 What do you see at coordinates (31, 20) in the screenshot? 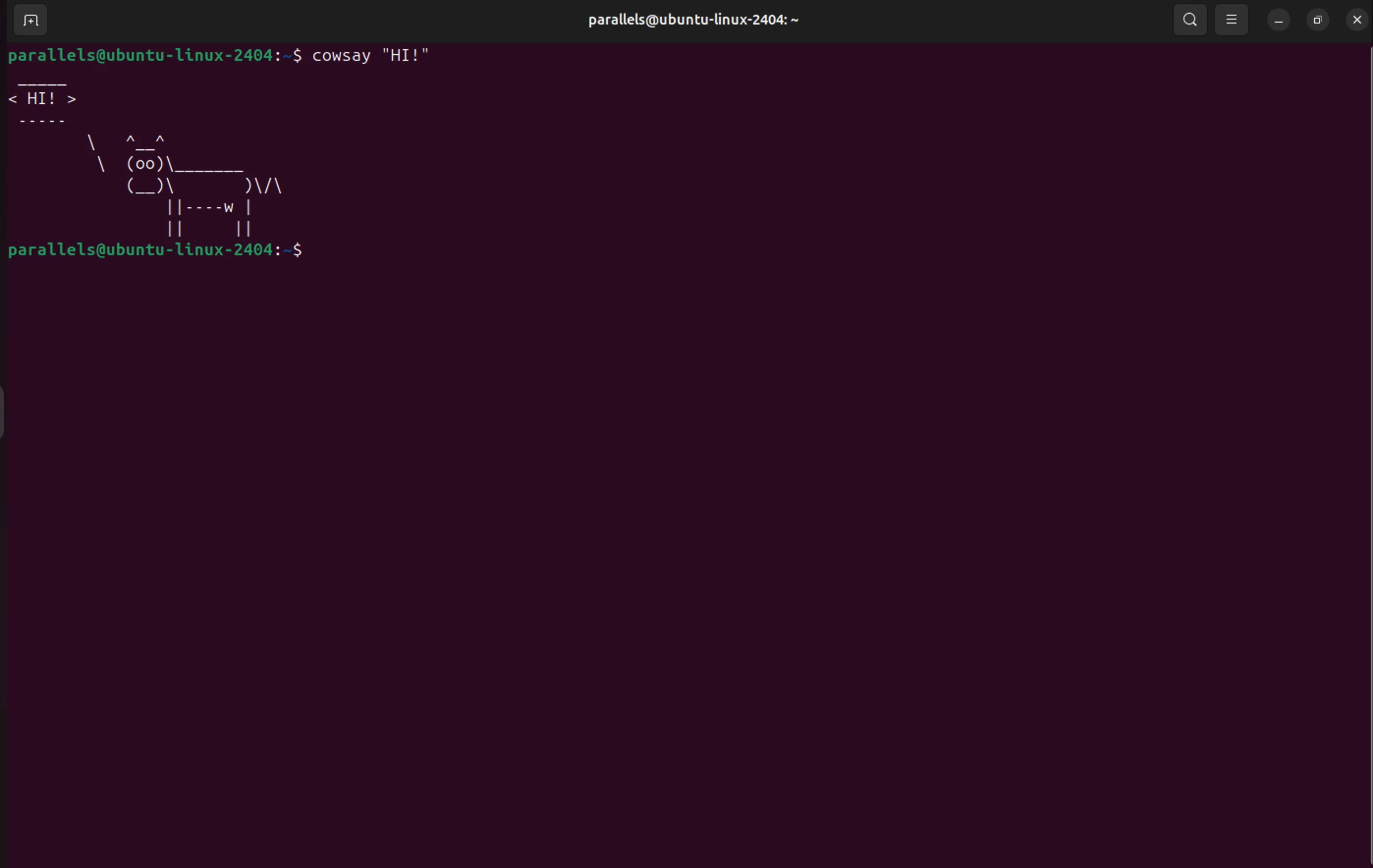
I see `add terminal` at bounding box center [31, 20].